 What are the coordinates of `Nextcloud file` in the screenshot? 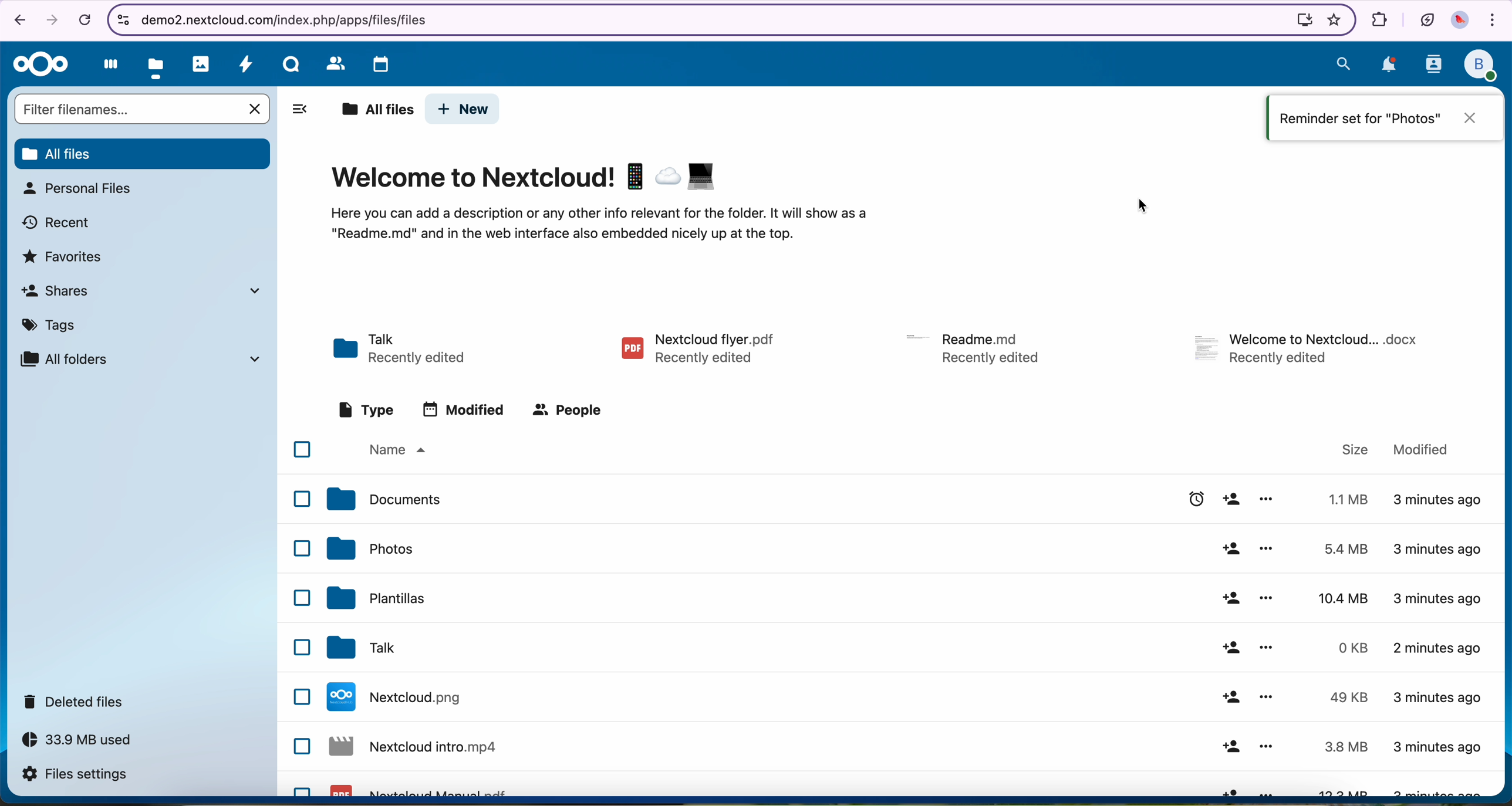 It's located at (401, 697).